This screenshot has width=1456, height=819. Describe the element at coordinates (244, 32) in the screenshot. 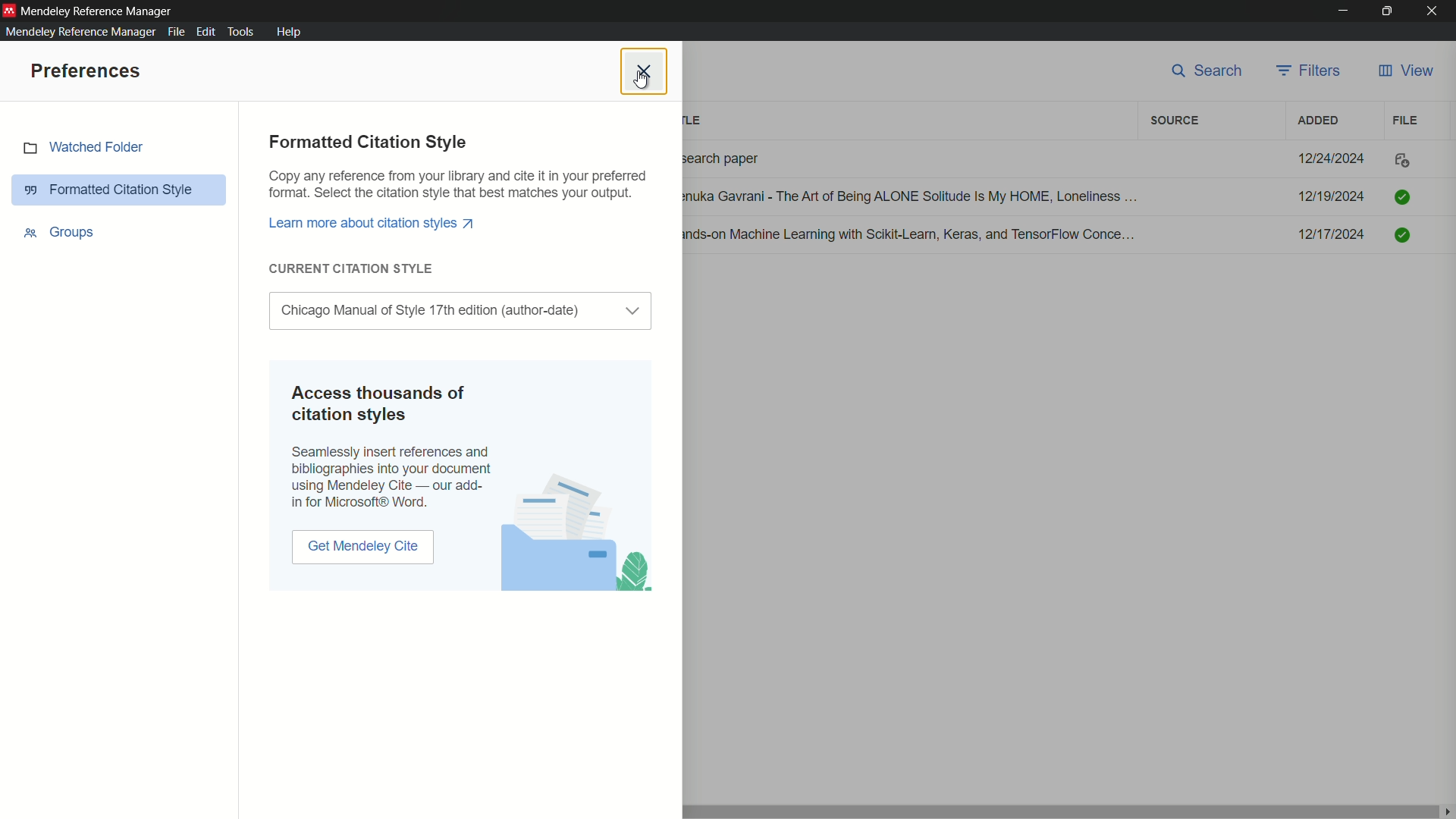

I see `tools menu` at that location.